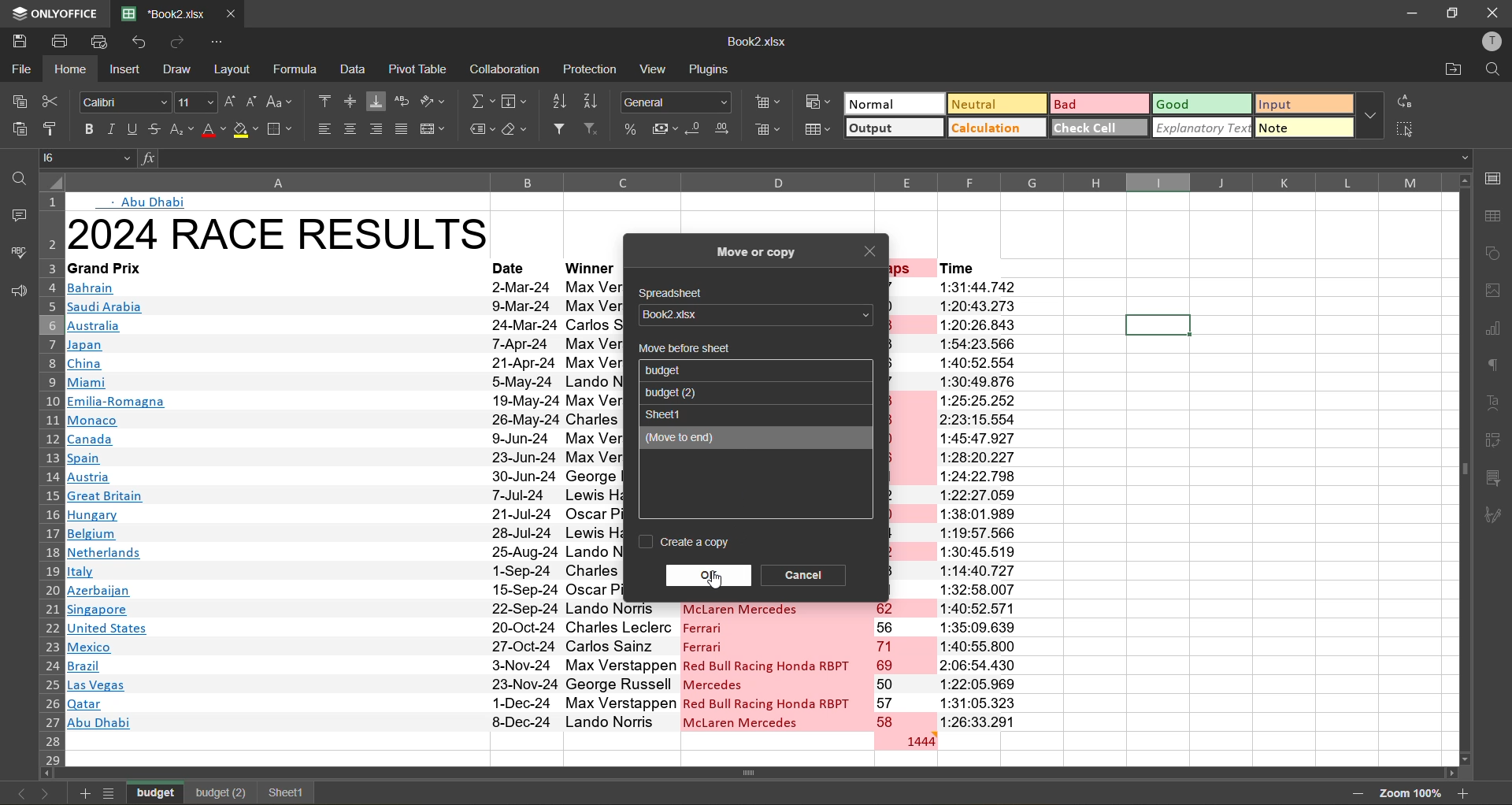  What do you see at coordinates (282, 129) in the screenshot?
I see `borders` at bounding box center [282, 129].